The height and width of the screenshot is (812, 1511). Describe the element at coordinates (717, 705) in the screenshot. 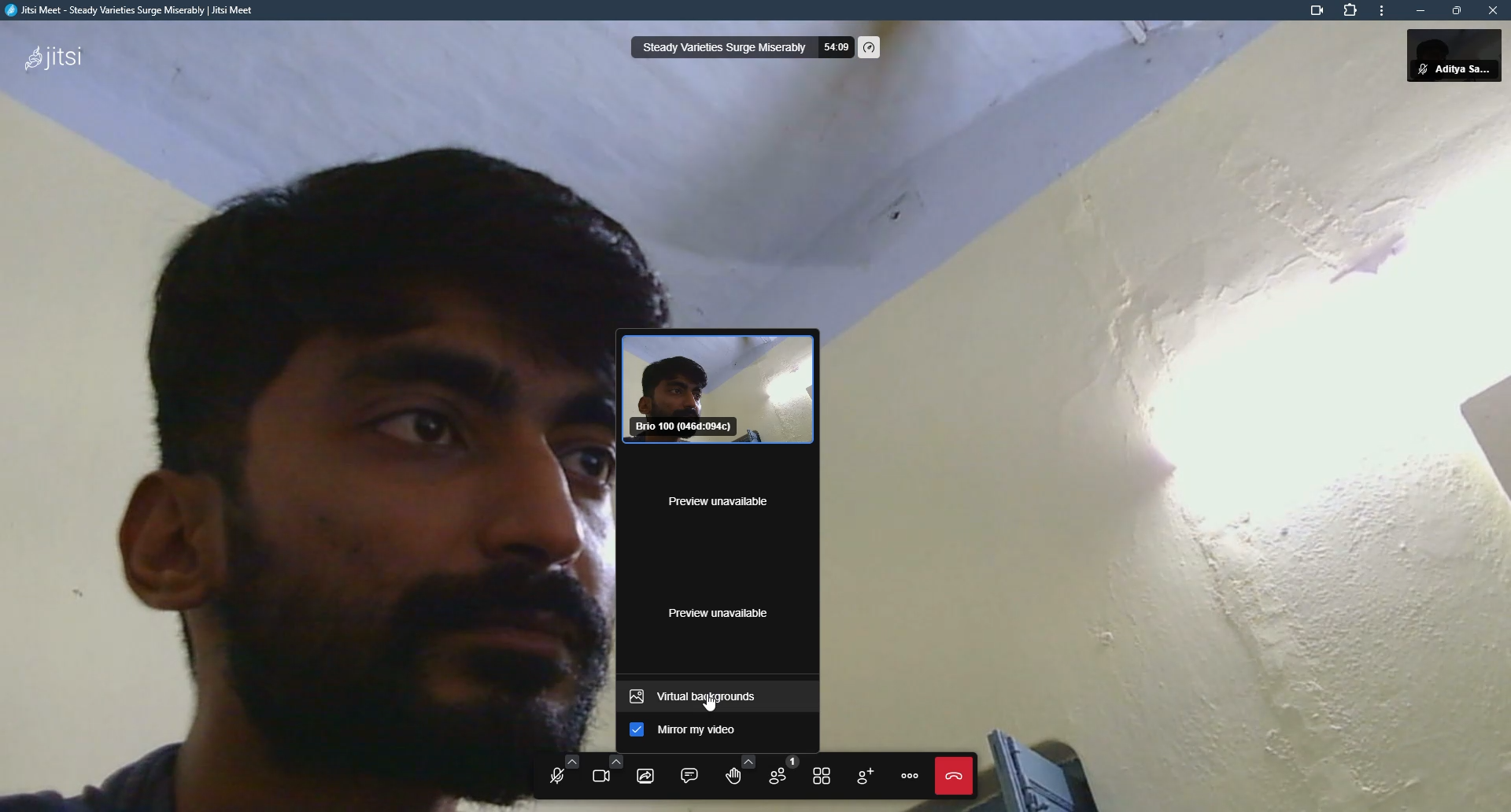

I see `Cursor` at that location.